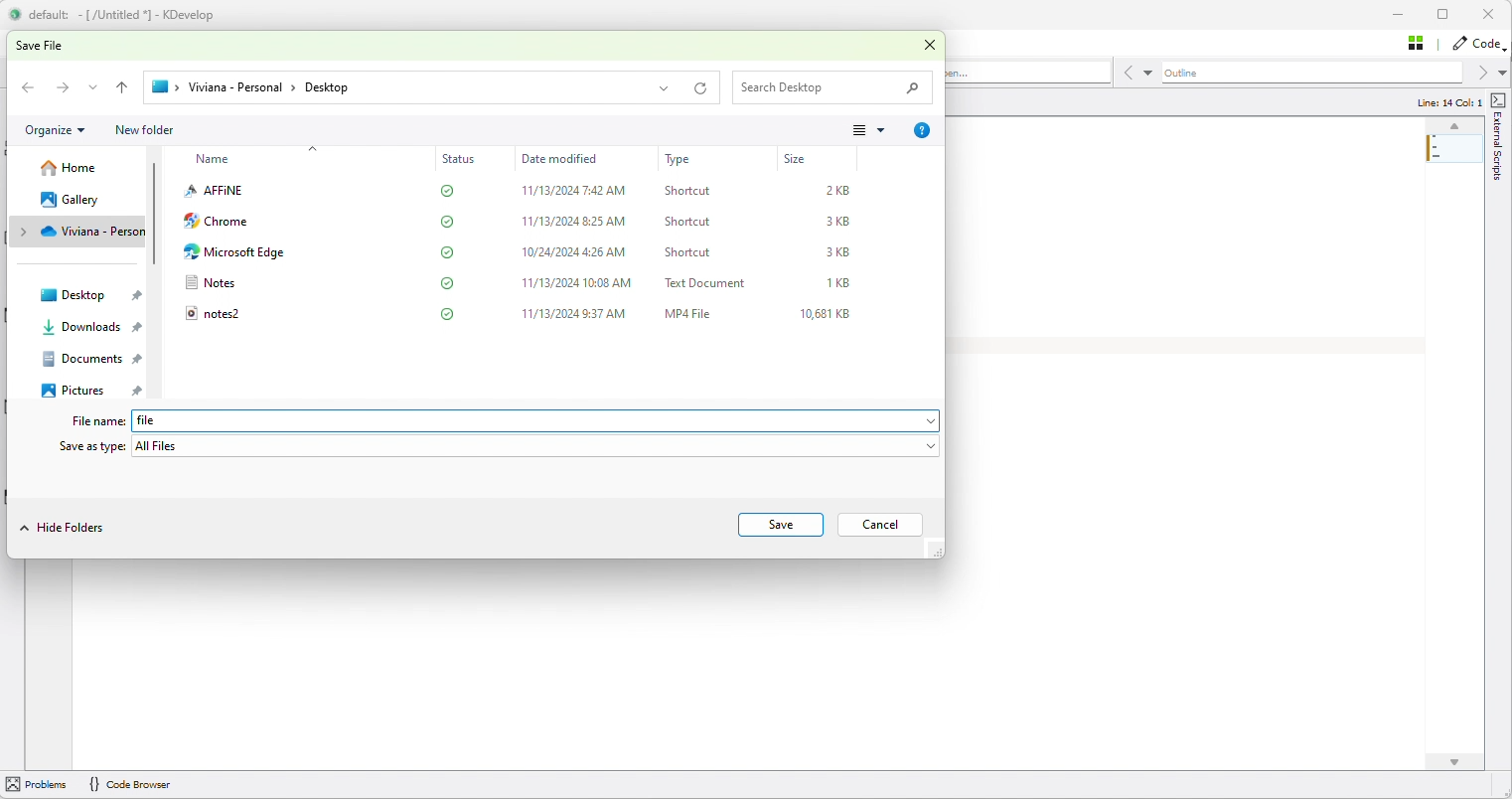  Describe the element at coordinates (215, 160) in the screenshot. I see `Name` at that location.